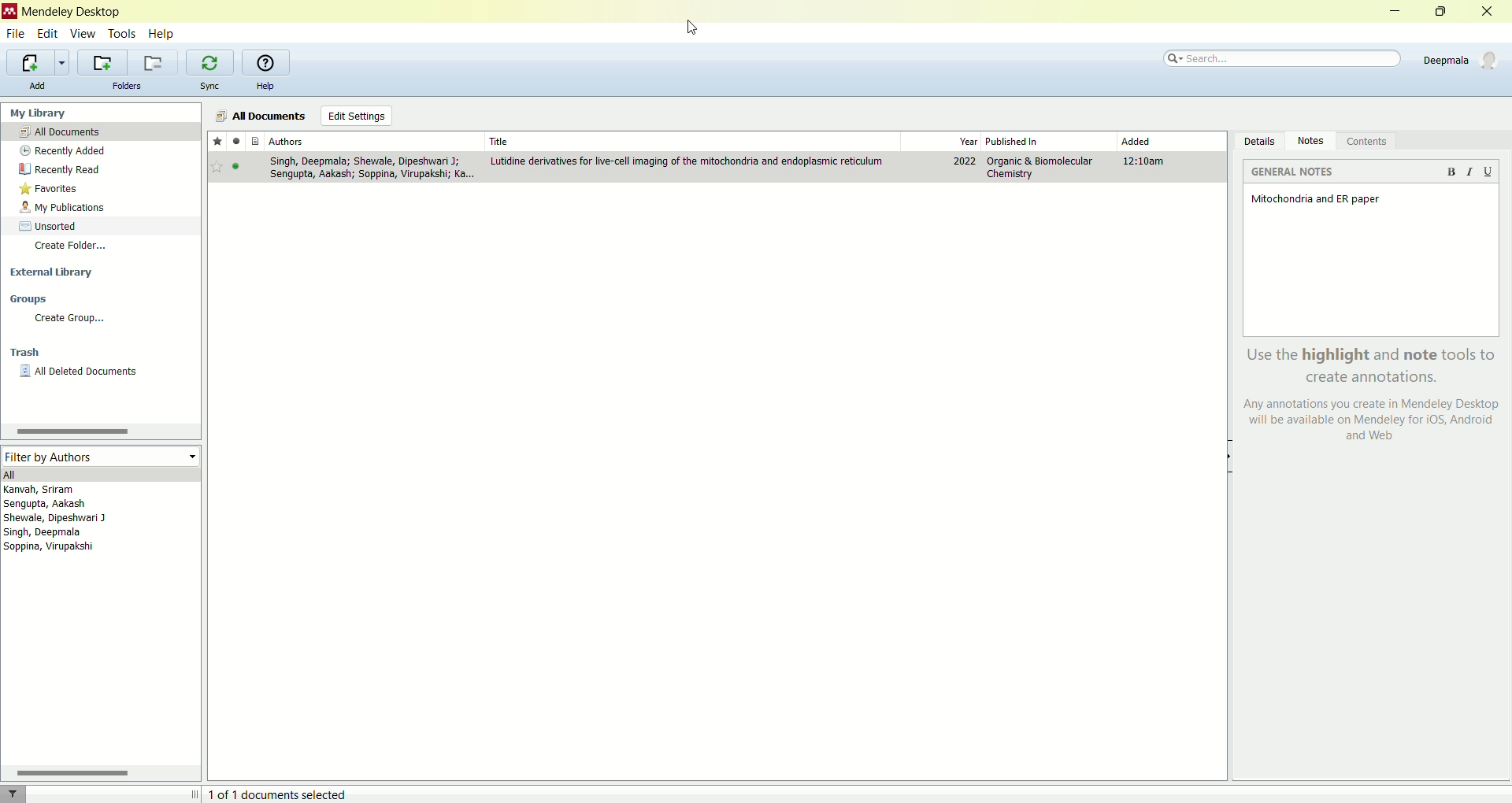 Image resolution: width=1512 pixels, height=803 pixels. Describe the element at coordinates (1137, 142) in the screenshot. I see `added` at that location.